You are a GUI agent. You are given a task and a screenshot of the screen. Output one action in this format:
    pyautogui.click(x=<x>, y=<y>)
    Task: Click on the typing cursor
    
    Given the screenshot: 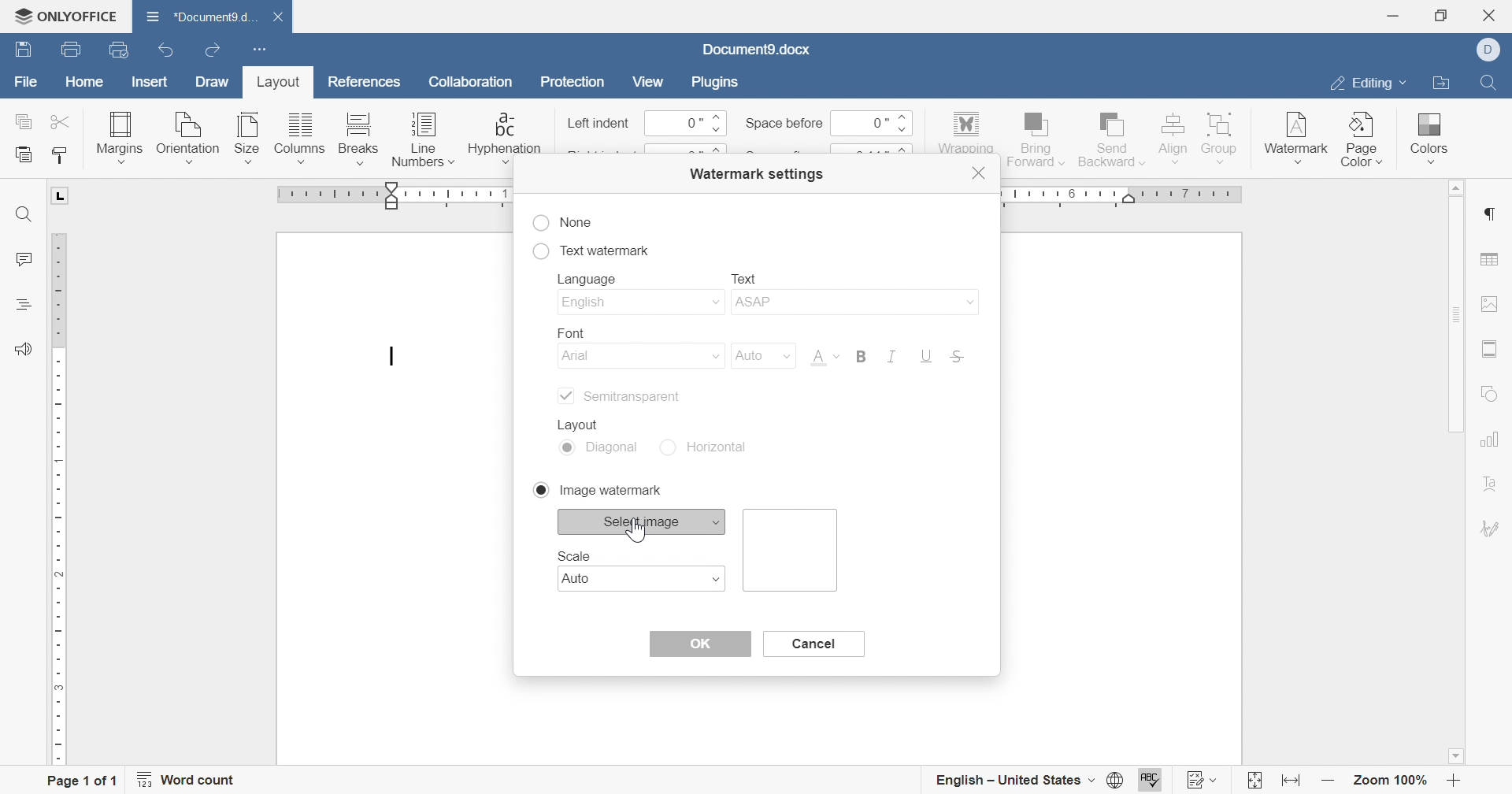 What is the action you would take?
    pyautogui.click(x=392, y=358)
    